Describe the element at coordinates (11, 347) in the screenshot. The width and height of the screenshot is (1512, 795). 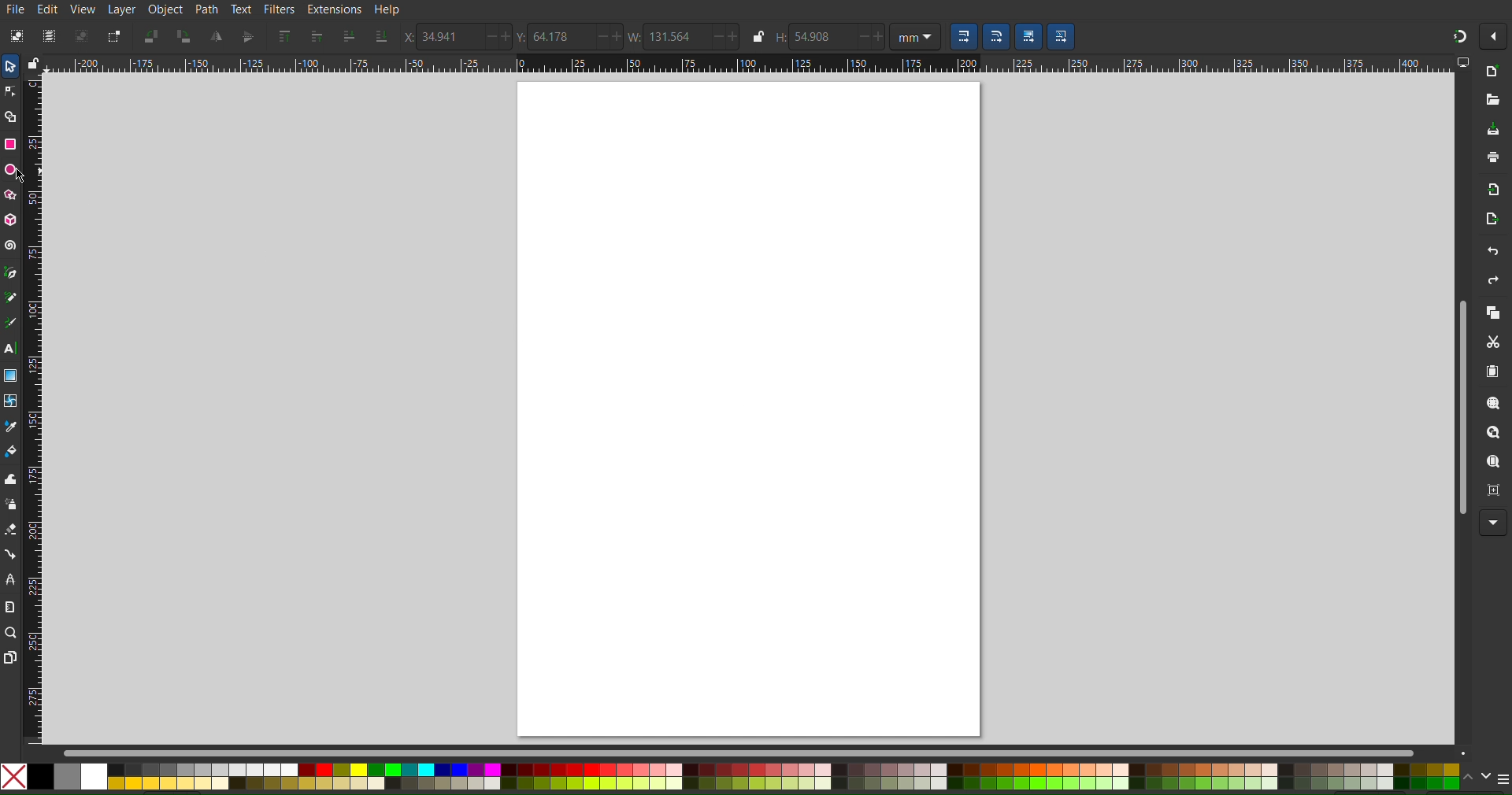
I see `Text Tool` at that location.